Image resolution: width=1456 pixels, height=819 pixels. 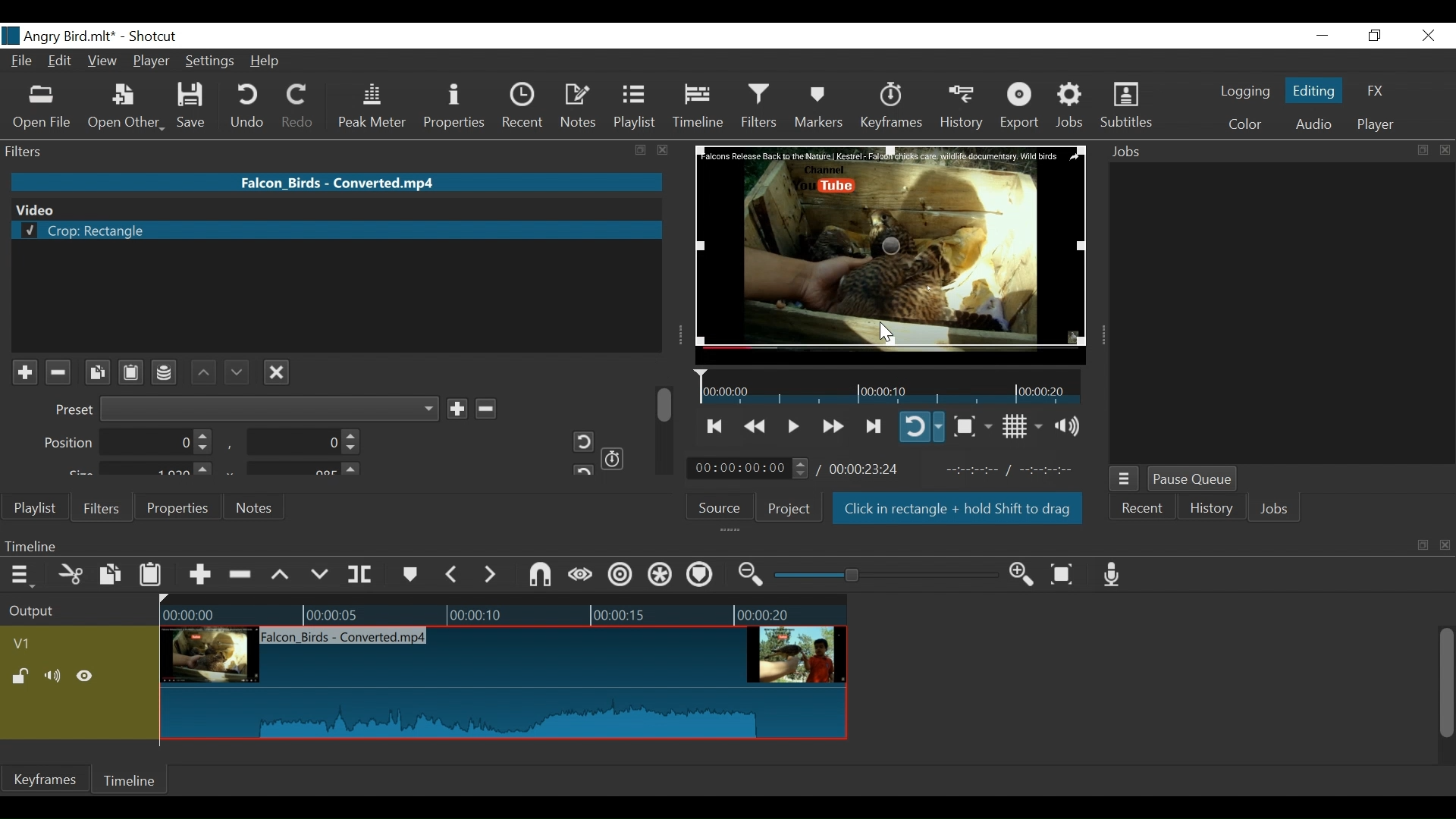 What do you see at coordinates (725, 506) in the screenshot?
I see `Source` at bounding box center [725, 506].